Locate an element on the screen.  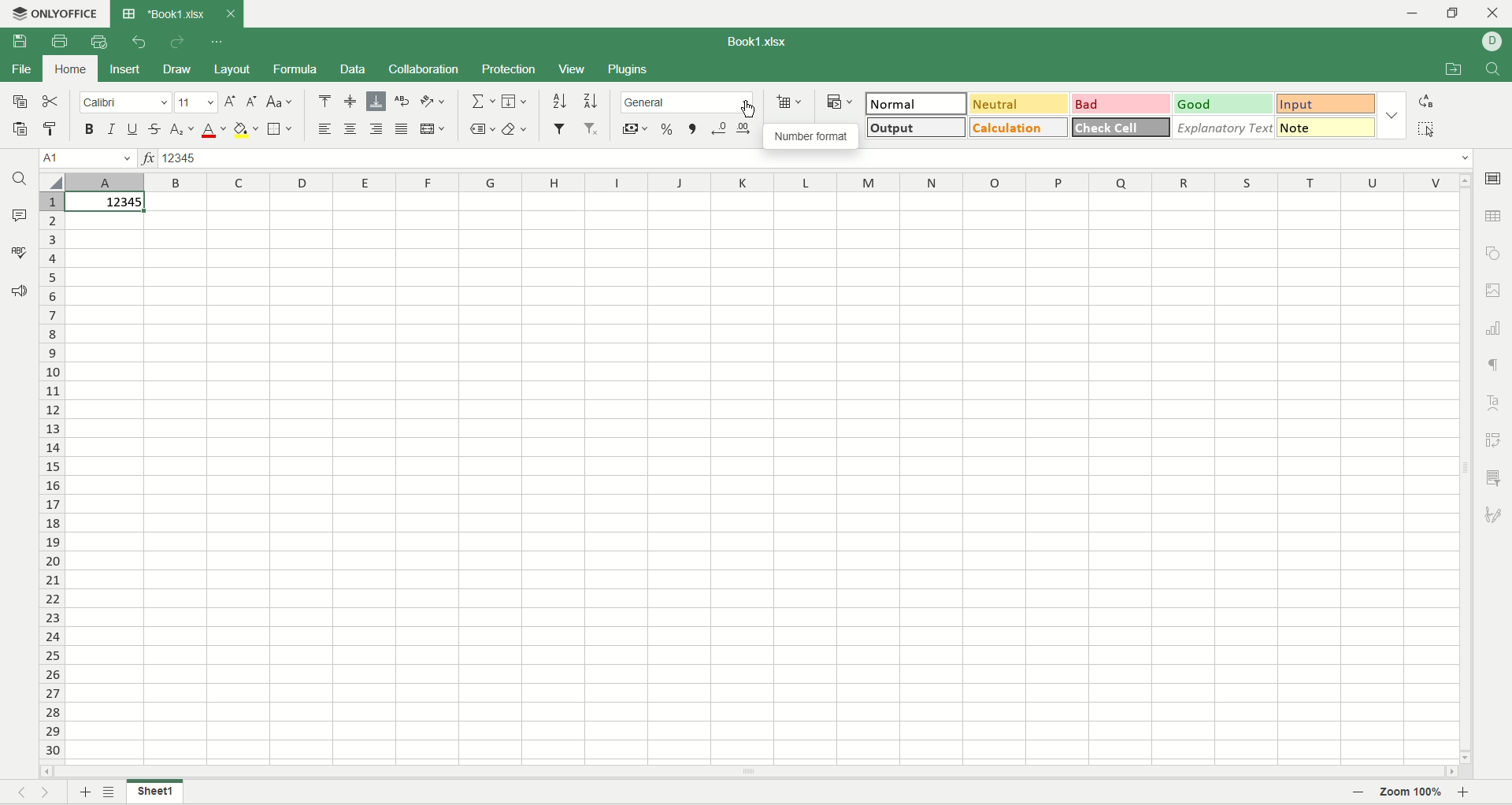
document name is located at coordinates (759, 42).